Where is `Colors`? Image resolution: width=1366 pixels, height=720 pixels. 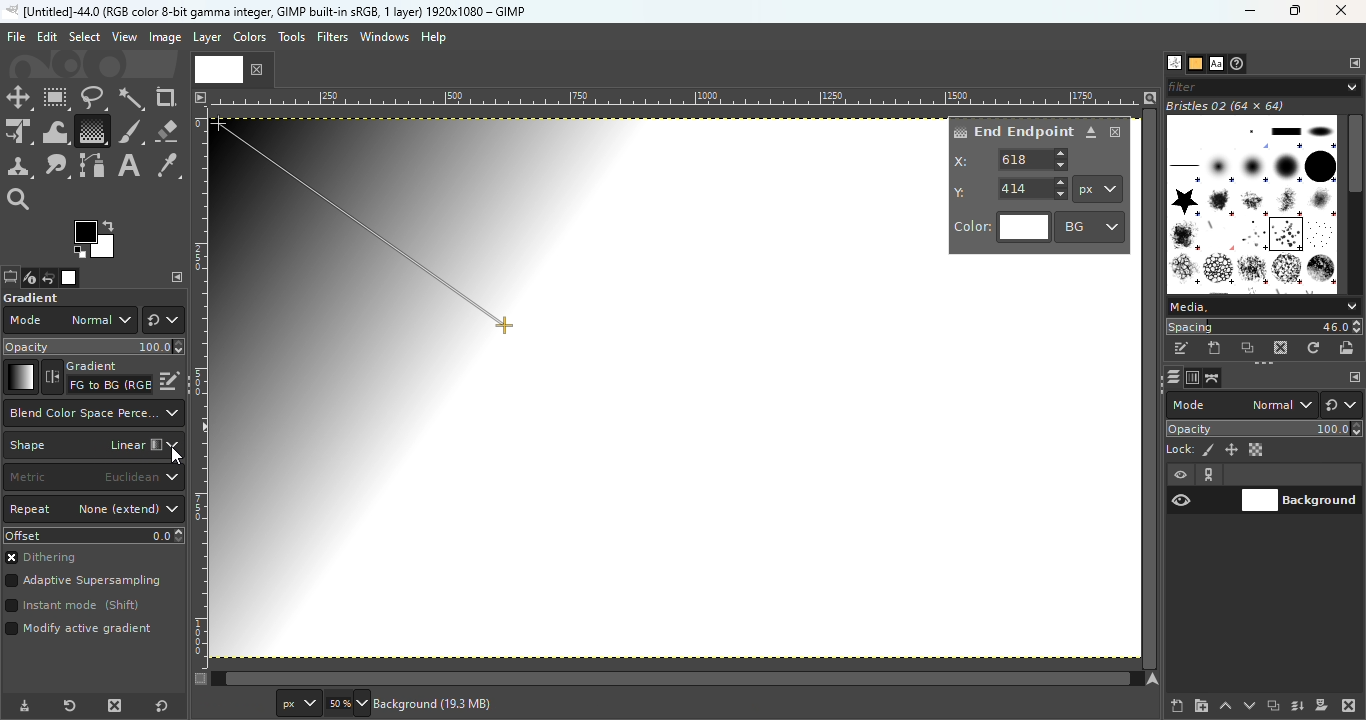
Colors is located at coordinates (248, 36).